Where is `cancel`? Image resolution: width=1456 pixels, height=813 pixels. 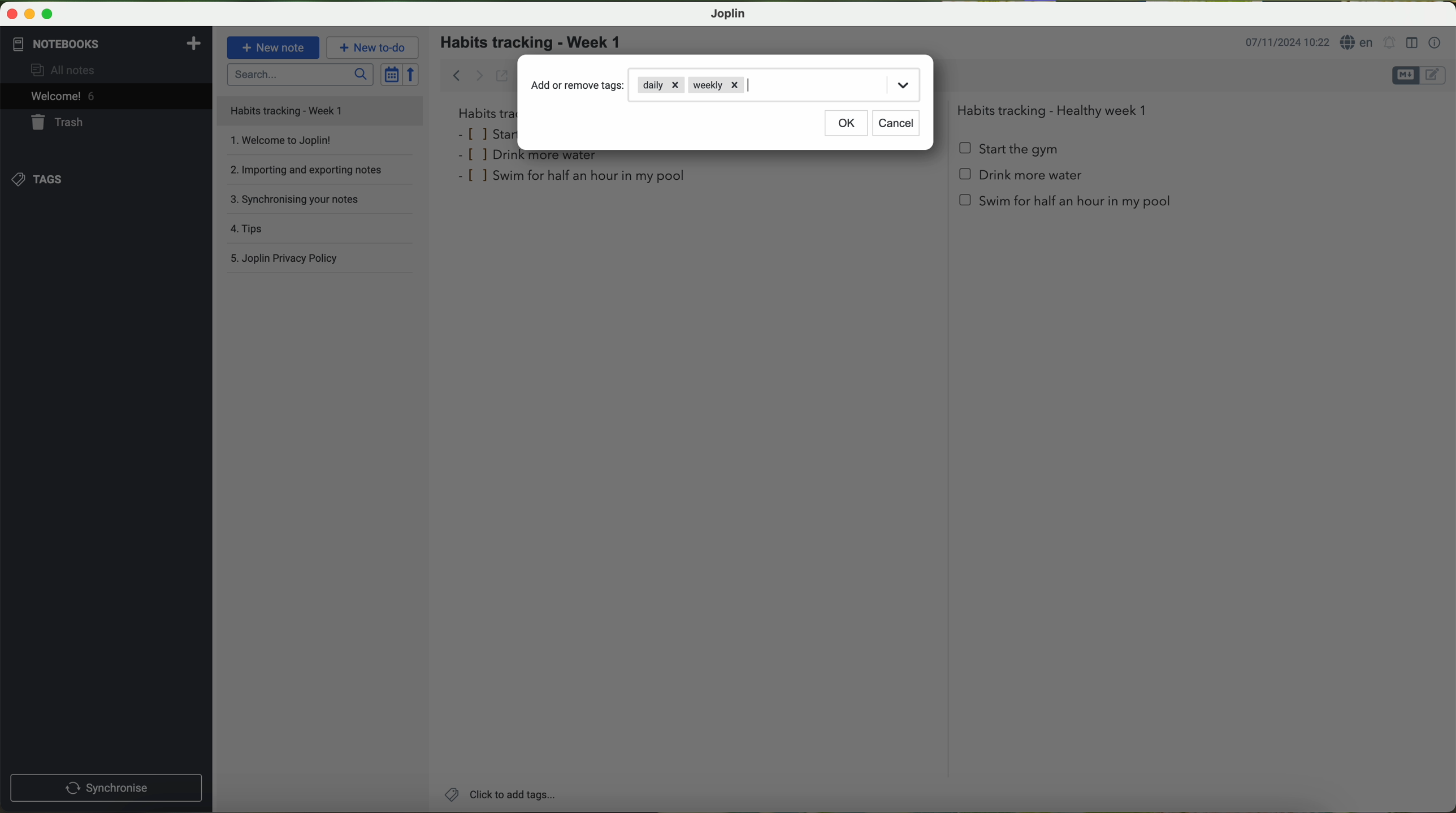
cancel is located at coordinates (895, 124).